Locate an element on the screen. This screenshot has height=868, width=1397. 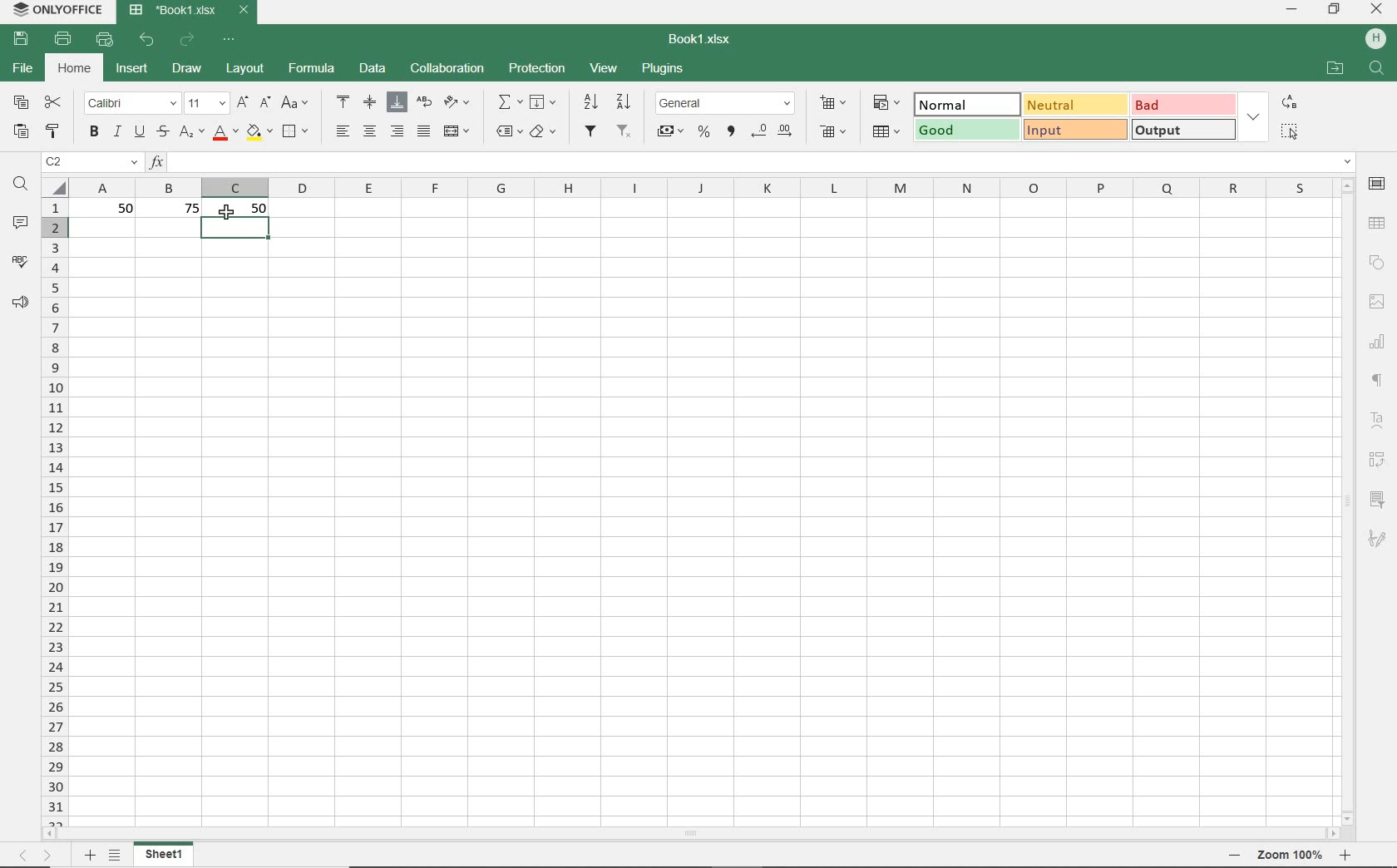
fill is located at coordinates (544, 103).